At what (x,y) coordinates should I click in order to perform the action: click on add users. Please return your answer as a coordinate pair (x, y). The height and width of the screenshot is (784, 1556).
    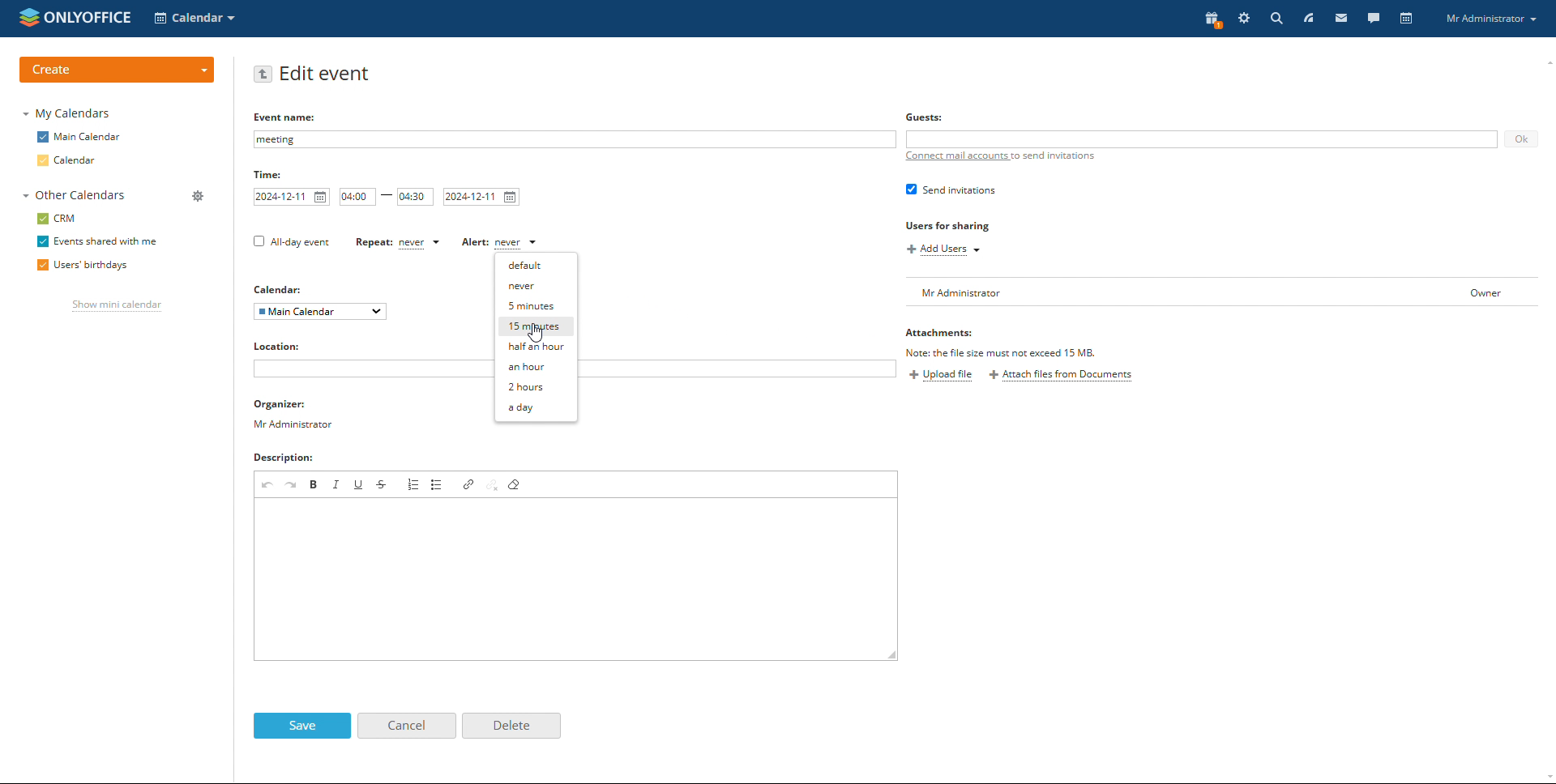
    Looking at the image, I should click on (942, 250).